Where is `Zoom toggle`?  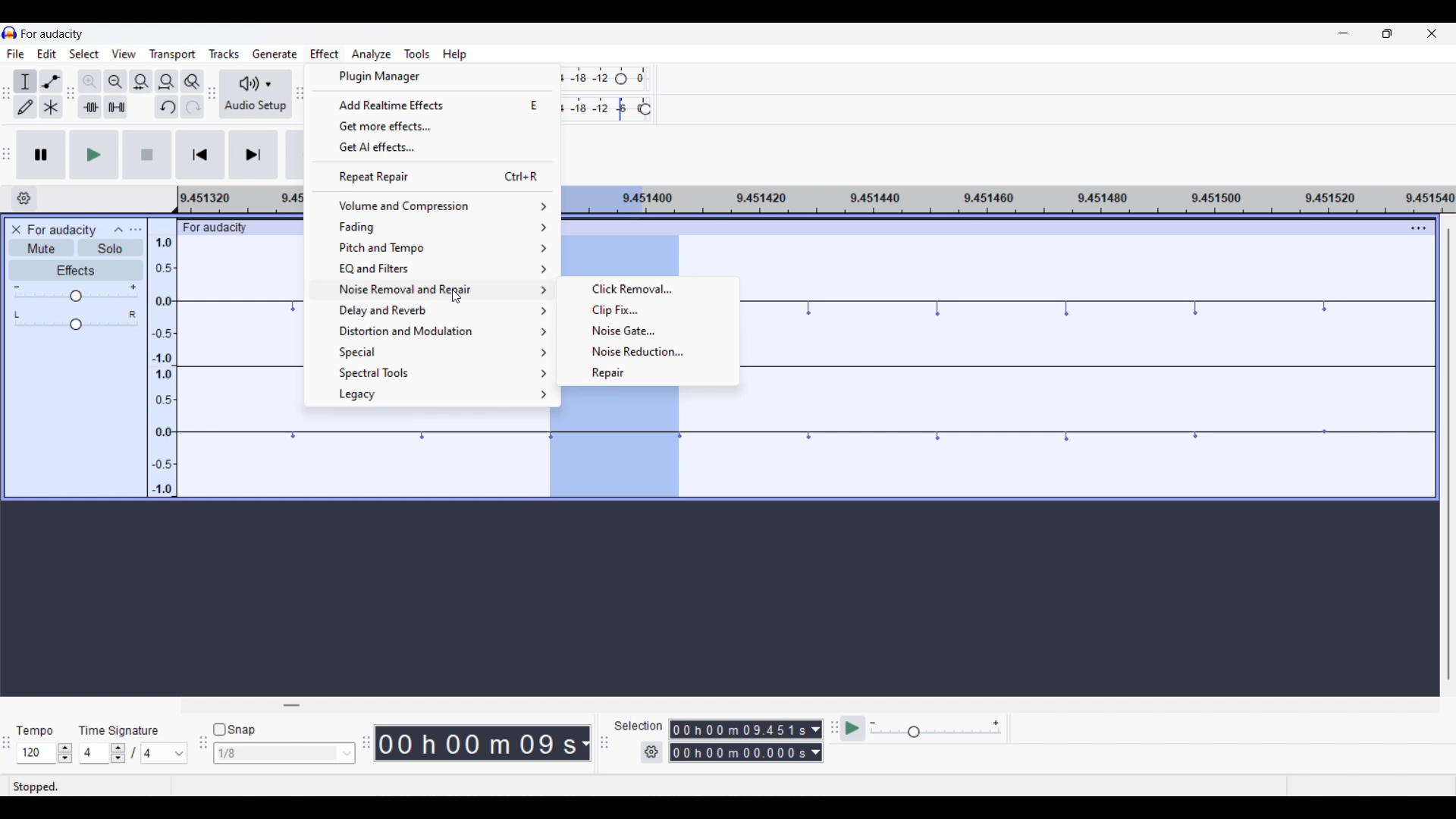 Zoom toggle is located at coordinates (193, 81).